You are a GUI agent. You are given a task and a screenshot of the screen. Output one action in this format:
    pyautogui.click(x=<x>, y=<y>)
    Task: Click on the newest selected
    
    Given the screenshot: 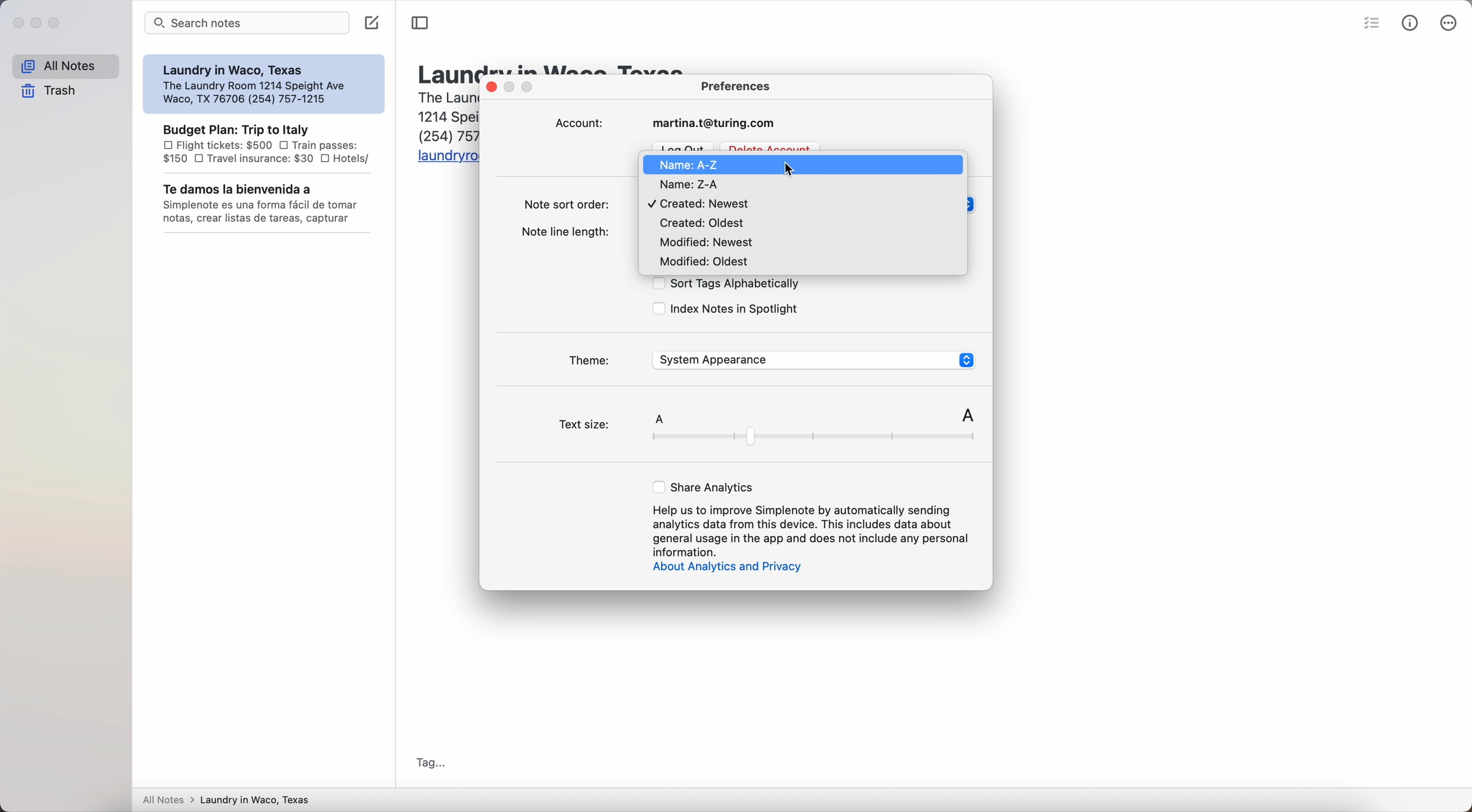 What is the action you would take?
    pyautogui.click(x=701, y=204)
    